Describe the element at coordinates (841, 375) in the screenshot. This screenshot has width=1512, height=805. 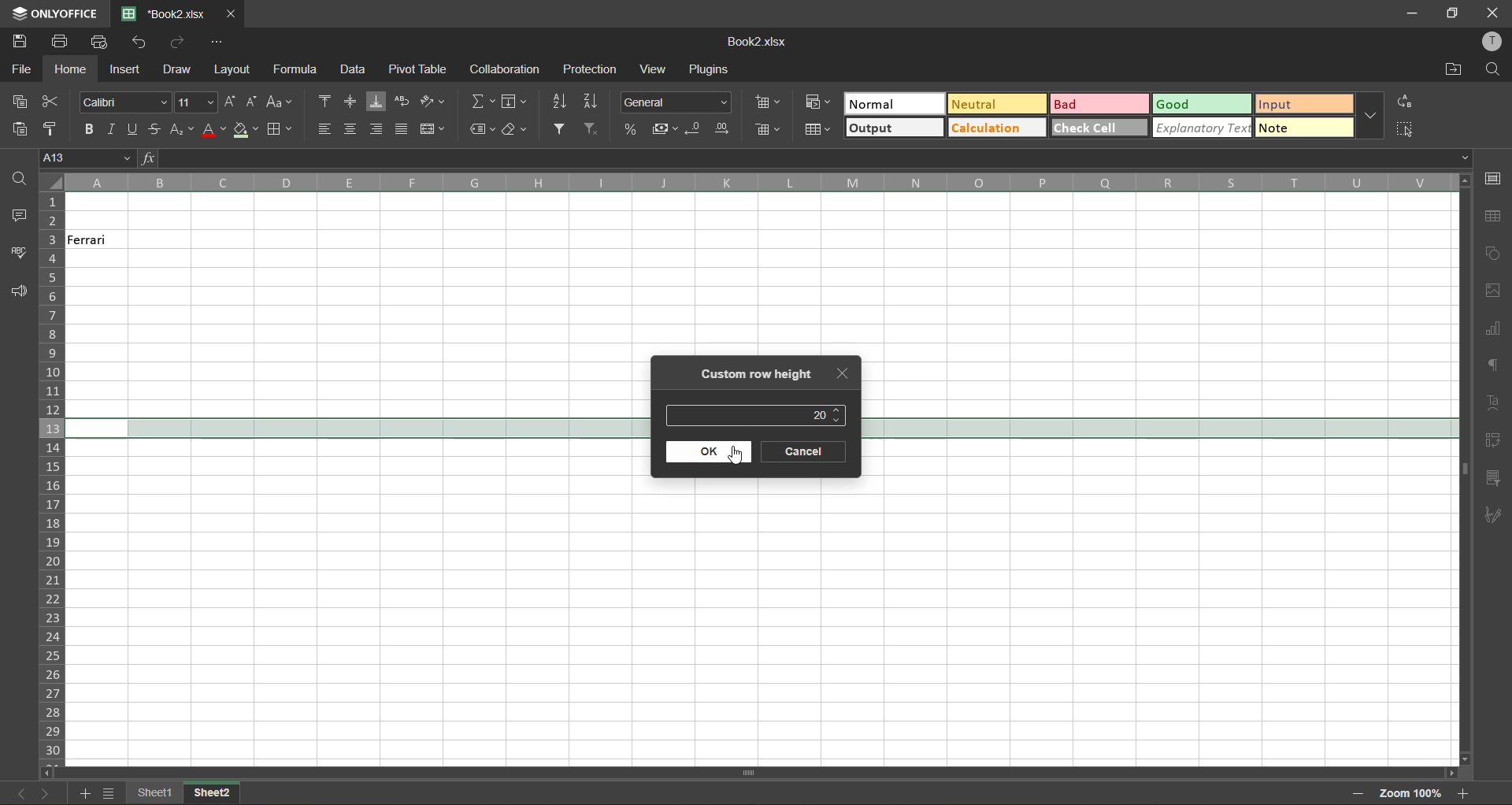
I see `close` at that location.